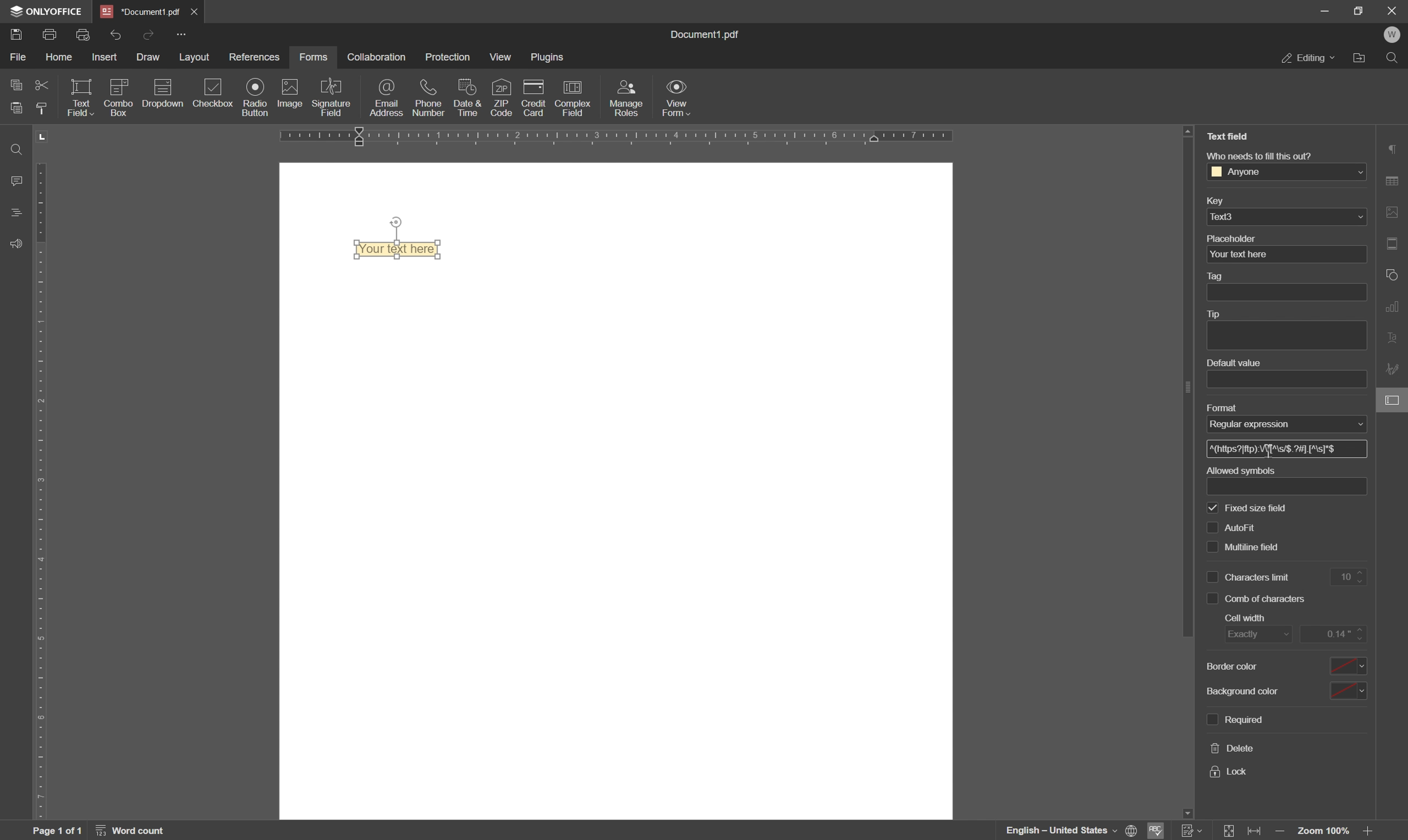 The image size is (1408, 840). Describe the element at coordinates (628, 97) in the screenshot. I see `manage roles` at that location.